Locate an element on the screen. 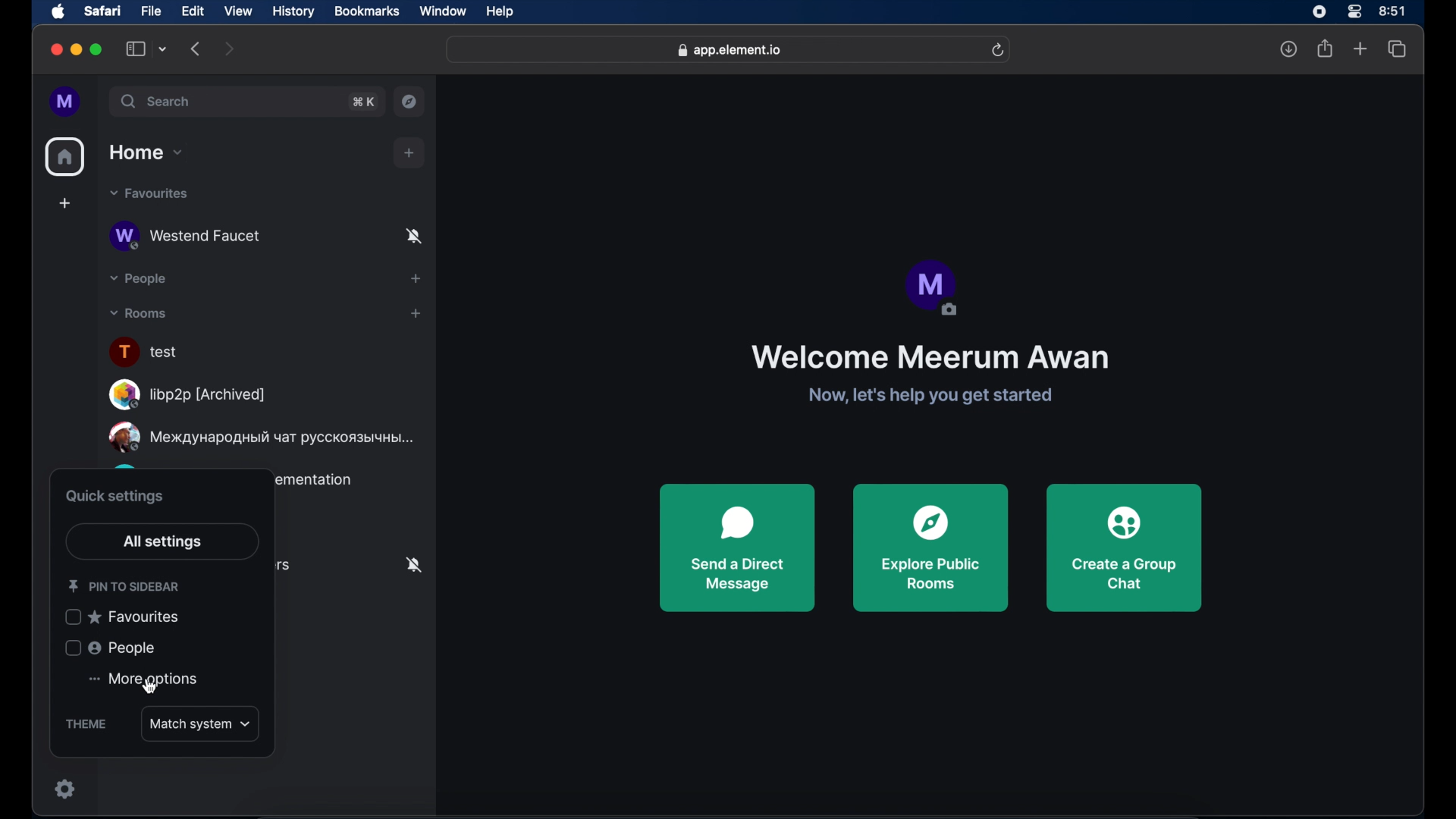 The image size is (1456, 819). file is located at coordinates (154, 12).